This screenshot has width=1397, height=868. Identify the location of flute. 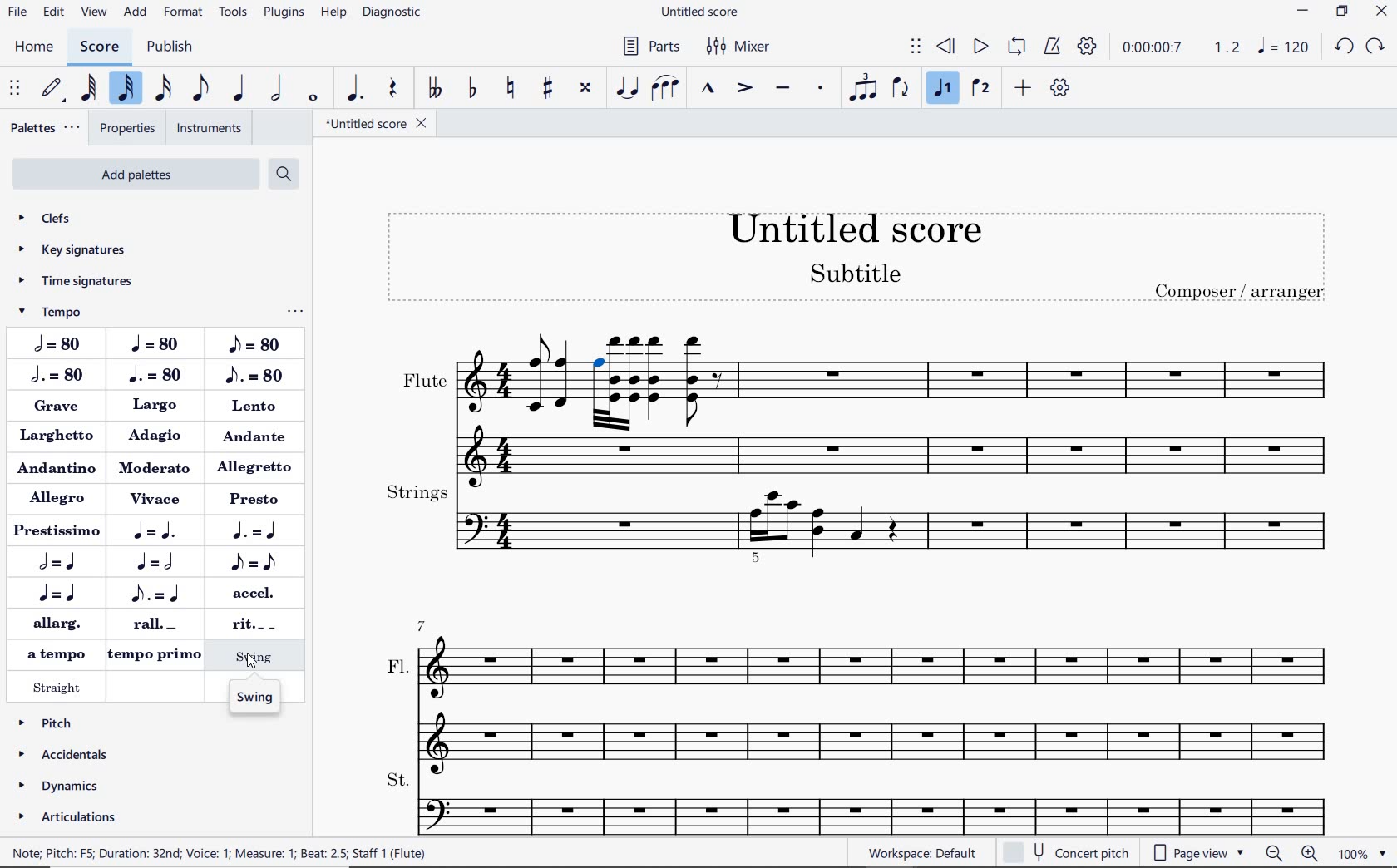
(482, 403).